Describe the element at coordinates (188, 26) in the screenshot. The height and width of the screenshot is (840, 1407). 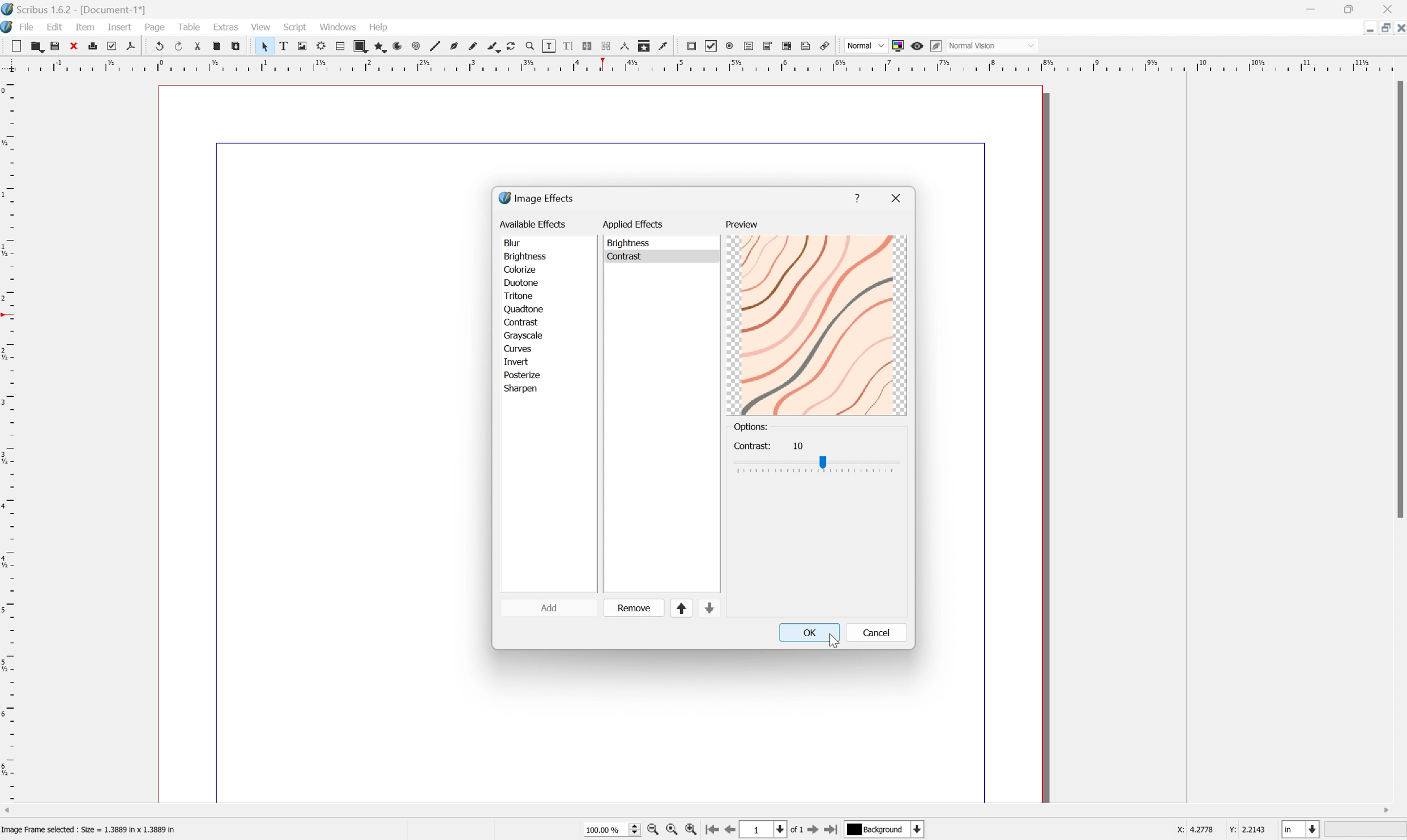
I see `Table` at that location.